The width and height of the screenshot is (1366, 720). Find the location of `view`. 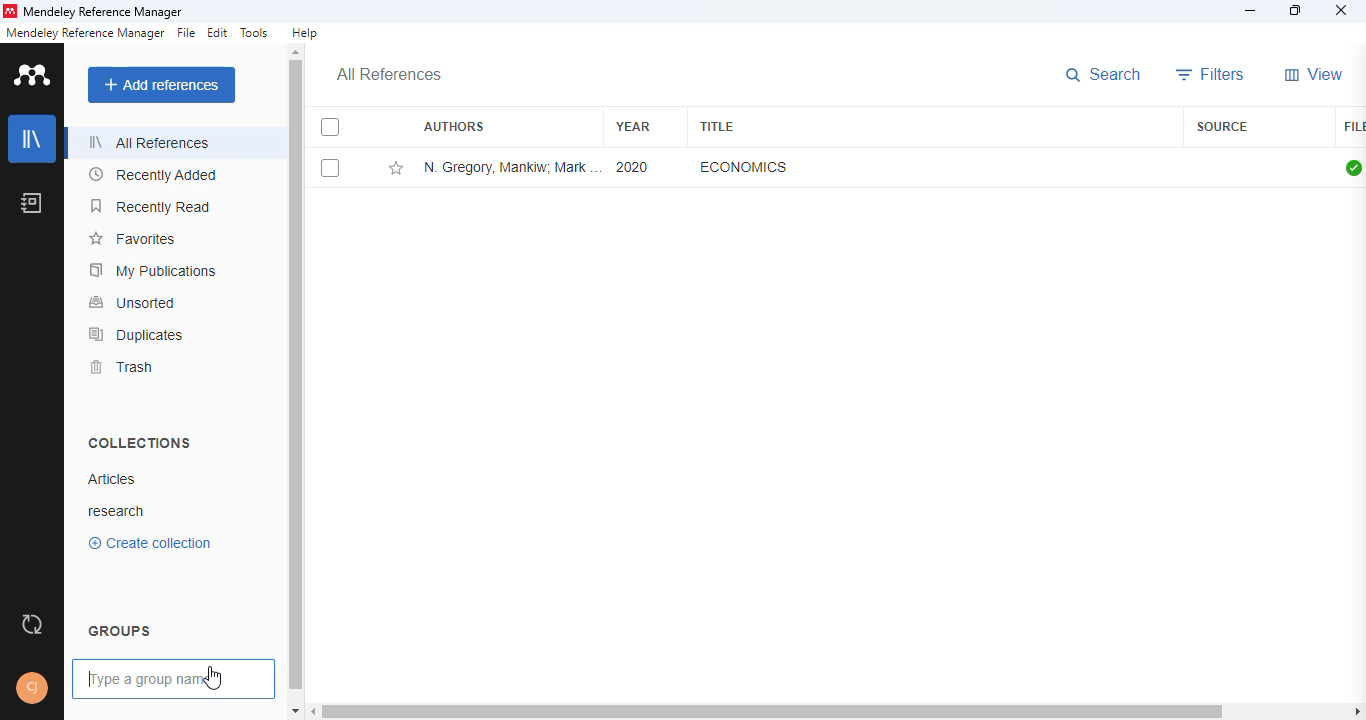

view is located at coordinates (1314, 75).